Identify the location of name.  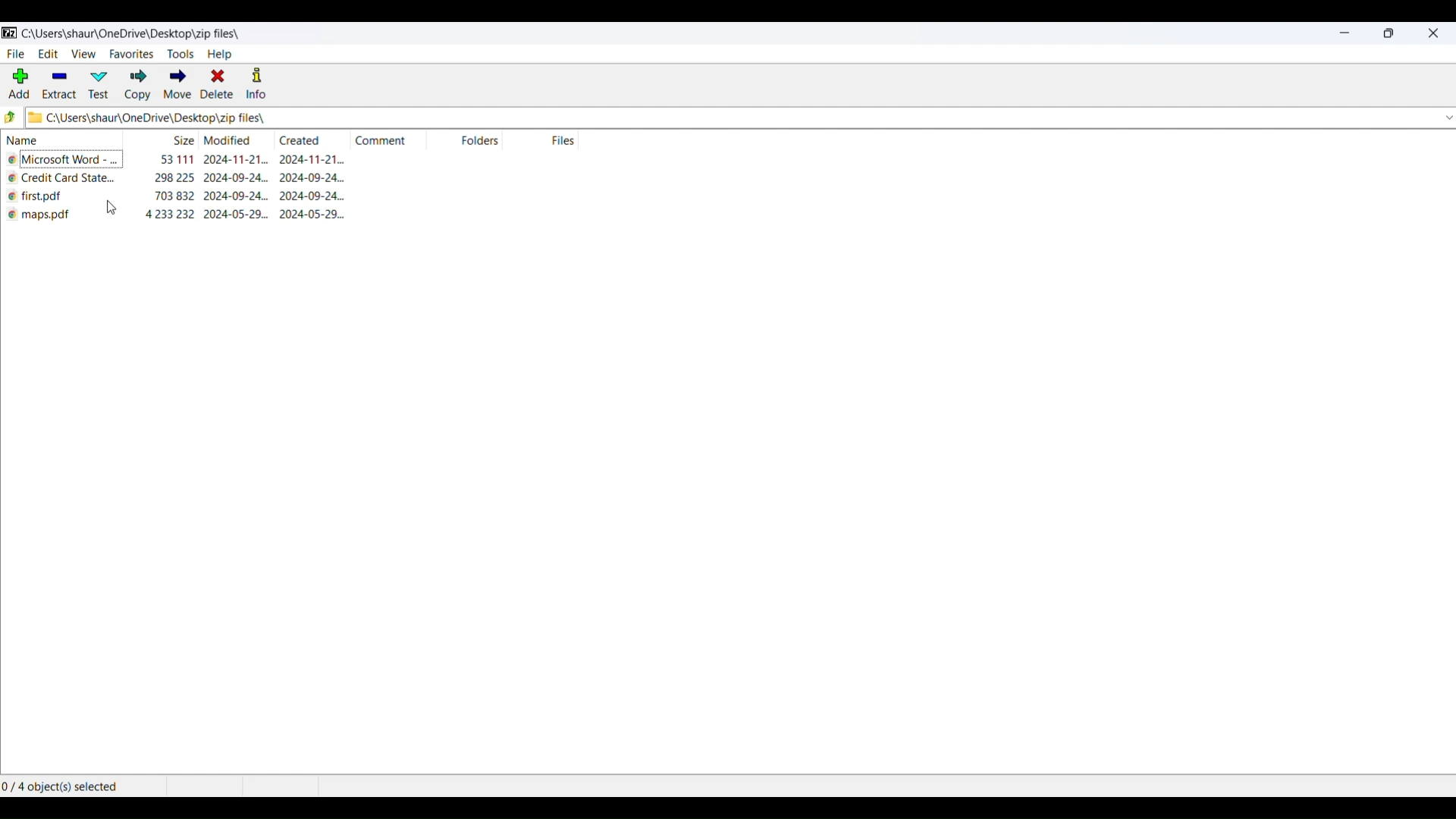
(60, 140).